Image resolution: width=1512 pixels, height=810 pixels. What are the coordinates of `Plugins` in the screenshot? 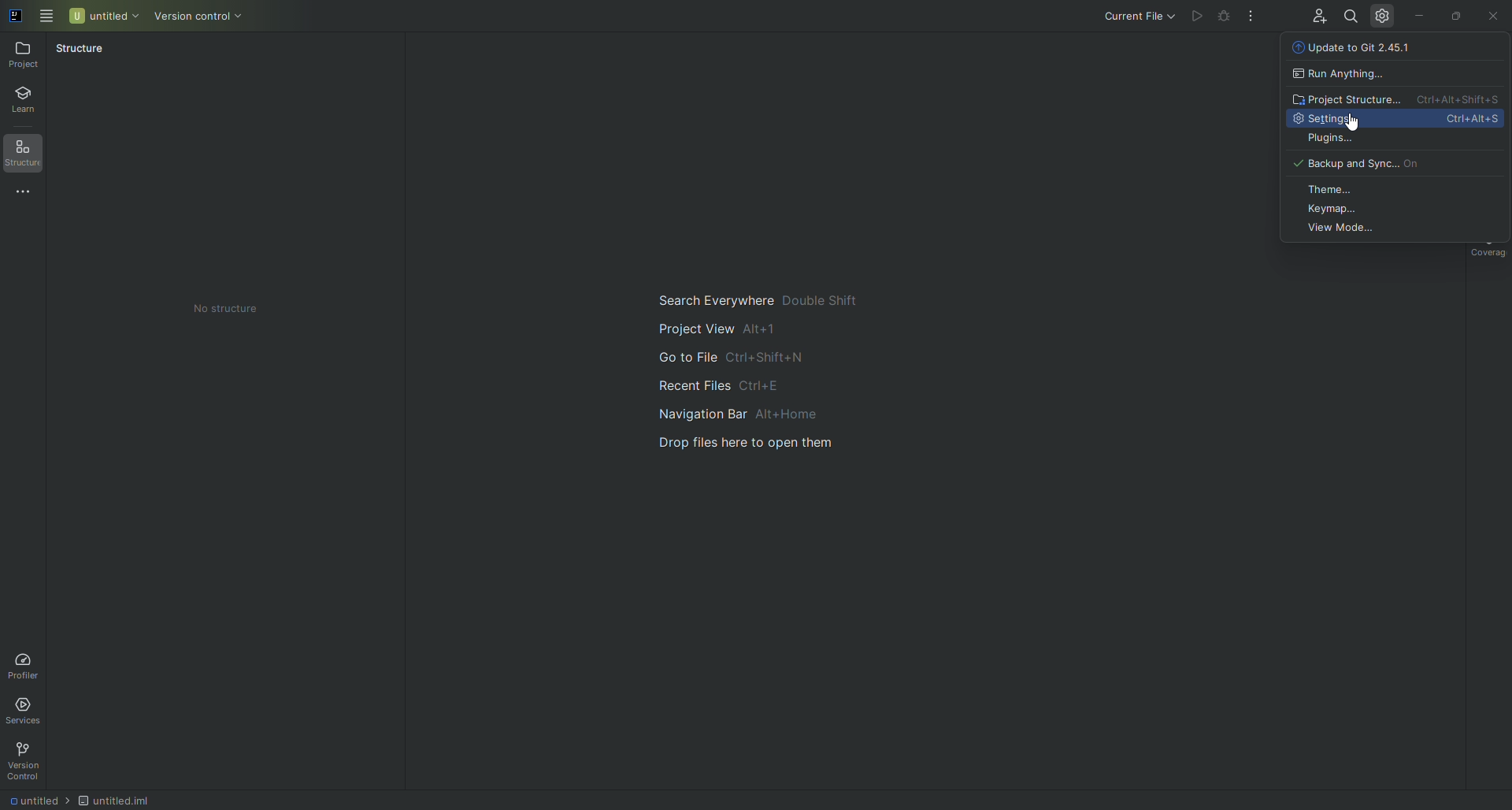 It's located at (1392, 140).